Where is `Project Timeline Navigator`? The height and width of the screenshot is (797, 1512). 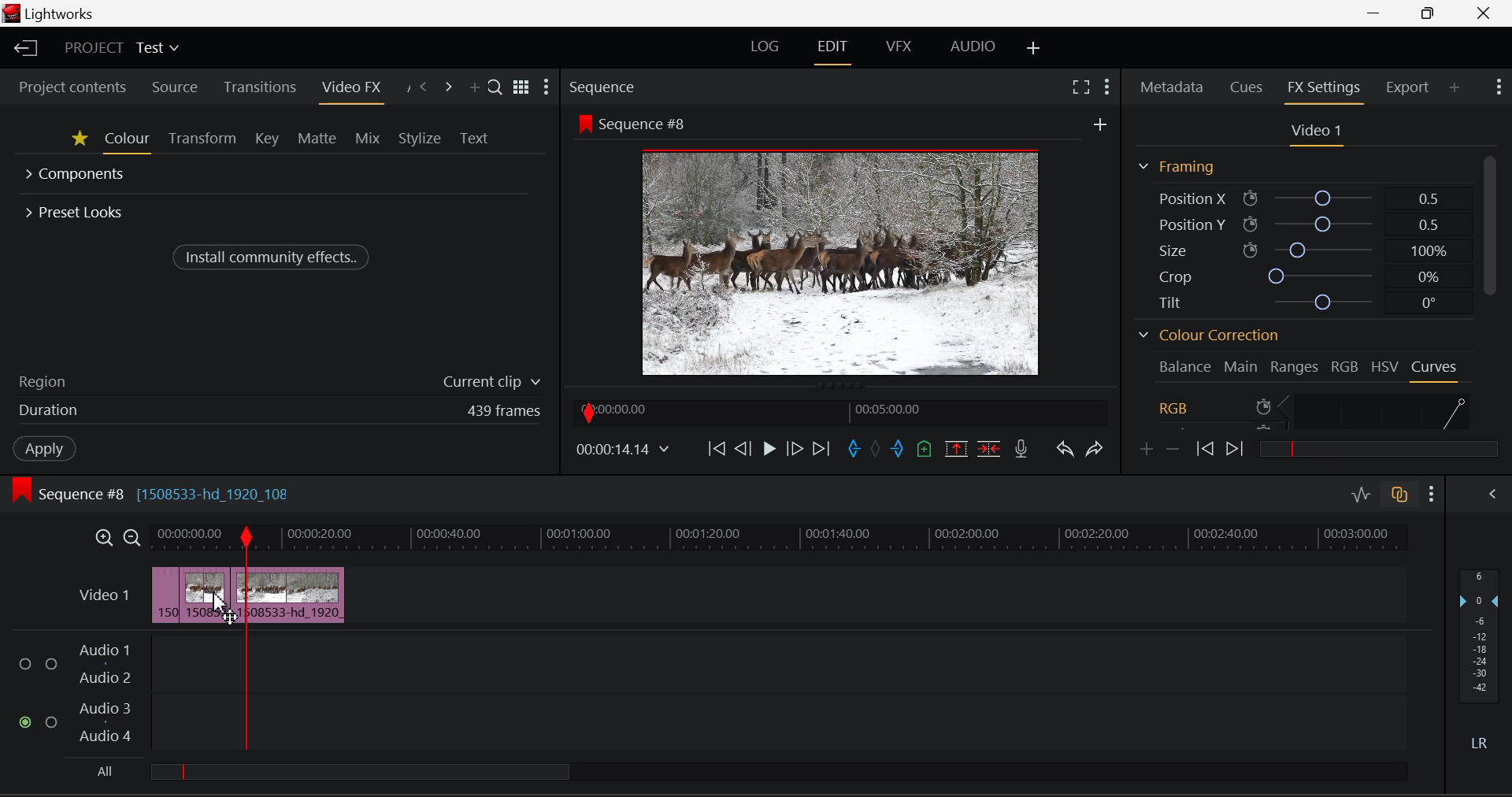
Project Timeline Navigator is located at coordinates (840, 411).